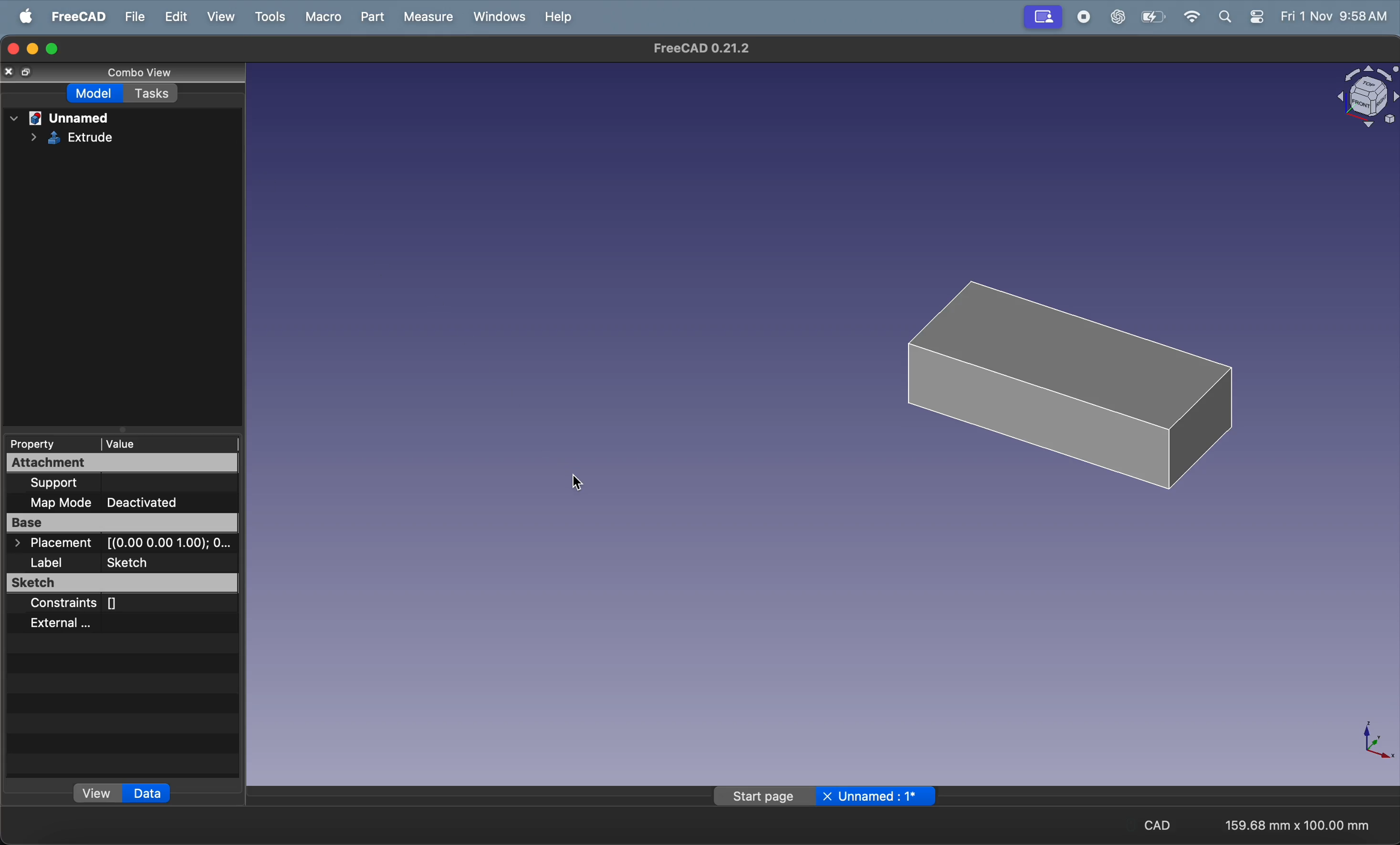  I want to click on time and date, so click(1336, 16).